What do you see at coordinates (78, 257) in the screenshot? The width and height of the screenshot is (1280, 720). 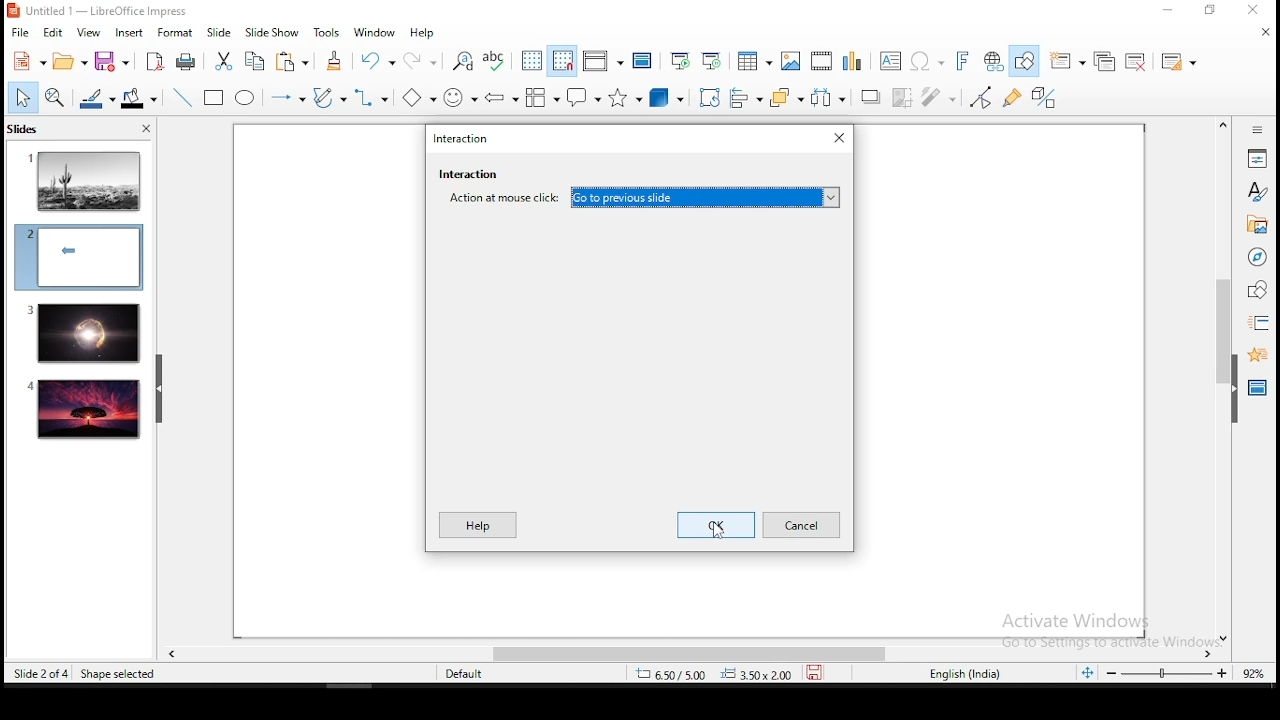 I see `slide 2` at bounding box center [78, 257].